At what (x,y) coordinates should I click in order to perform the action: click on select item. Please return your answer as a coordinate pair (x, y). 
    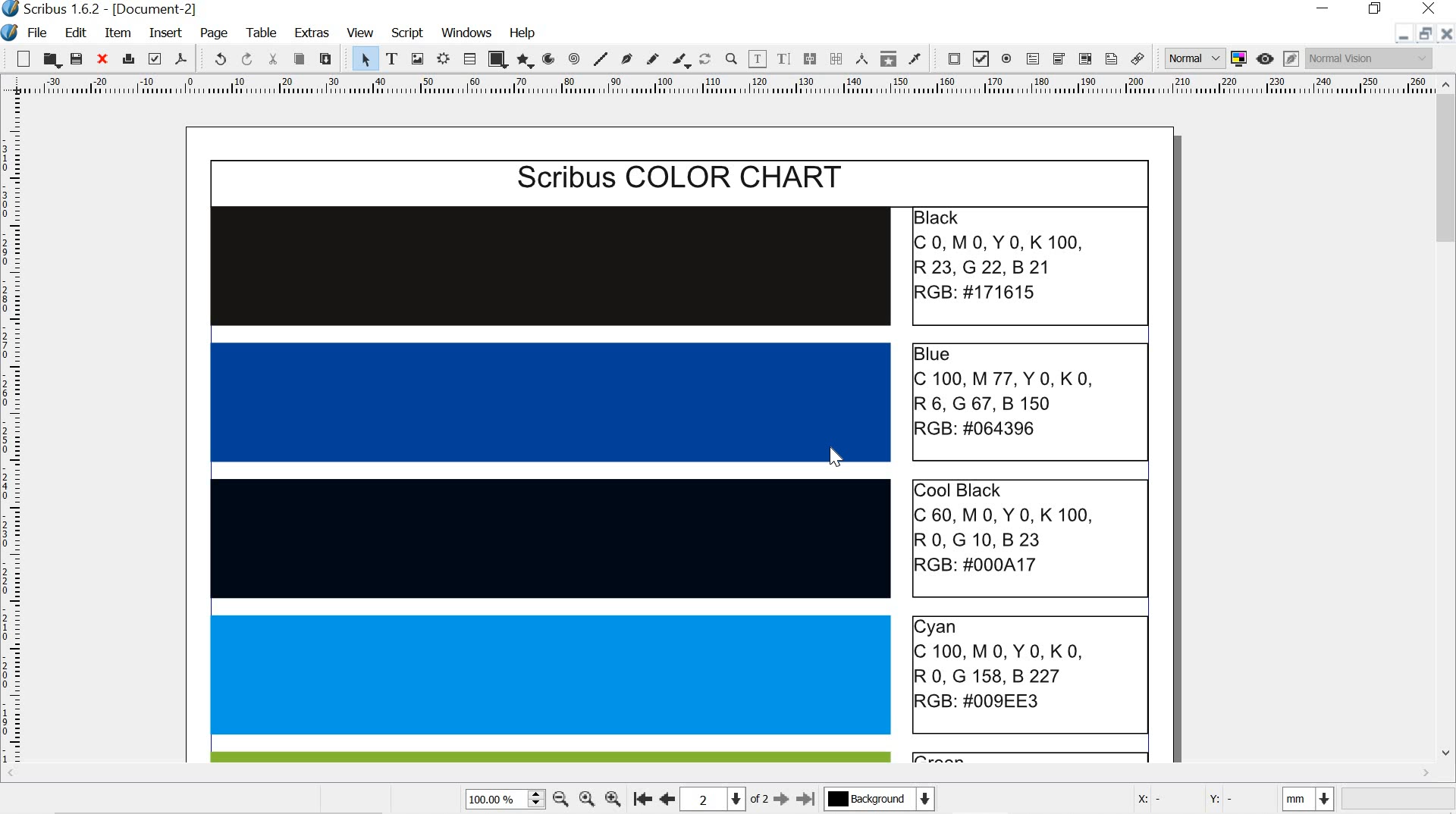
    Looking at the image, I should click on (363, 58).